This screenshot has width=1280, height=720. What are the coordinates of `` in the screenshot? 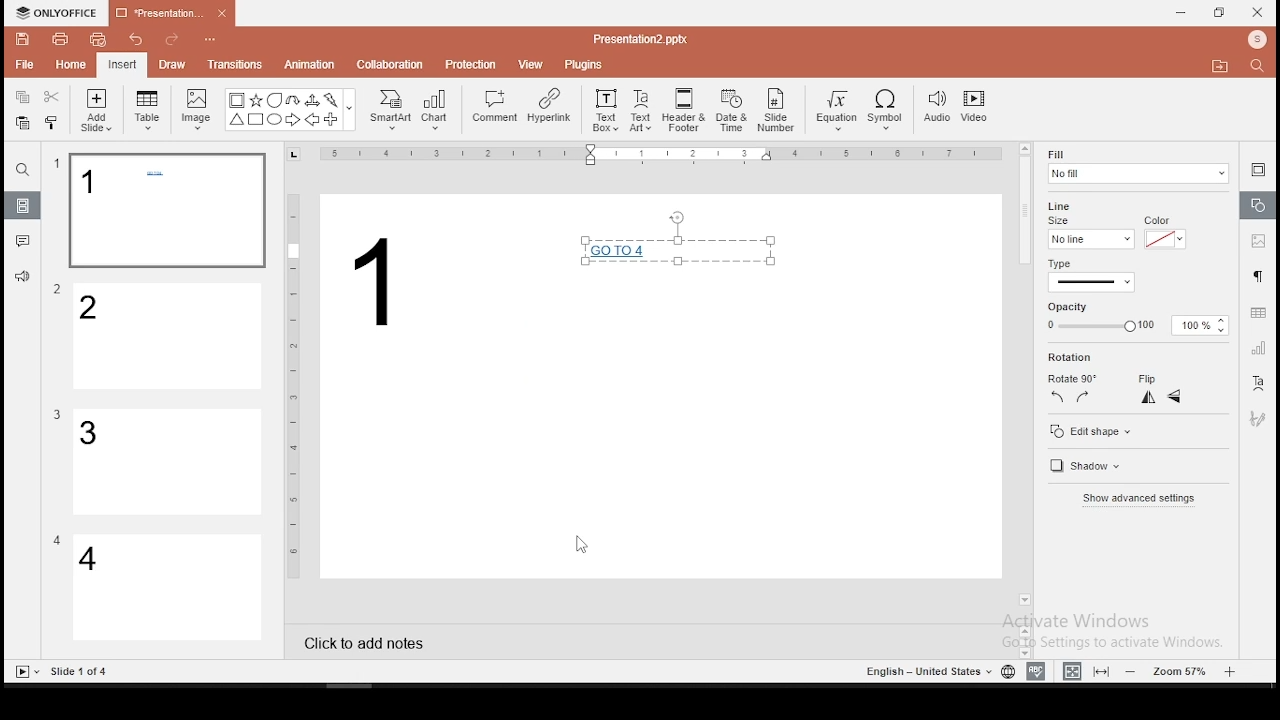 It's located at (926, 672).